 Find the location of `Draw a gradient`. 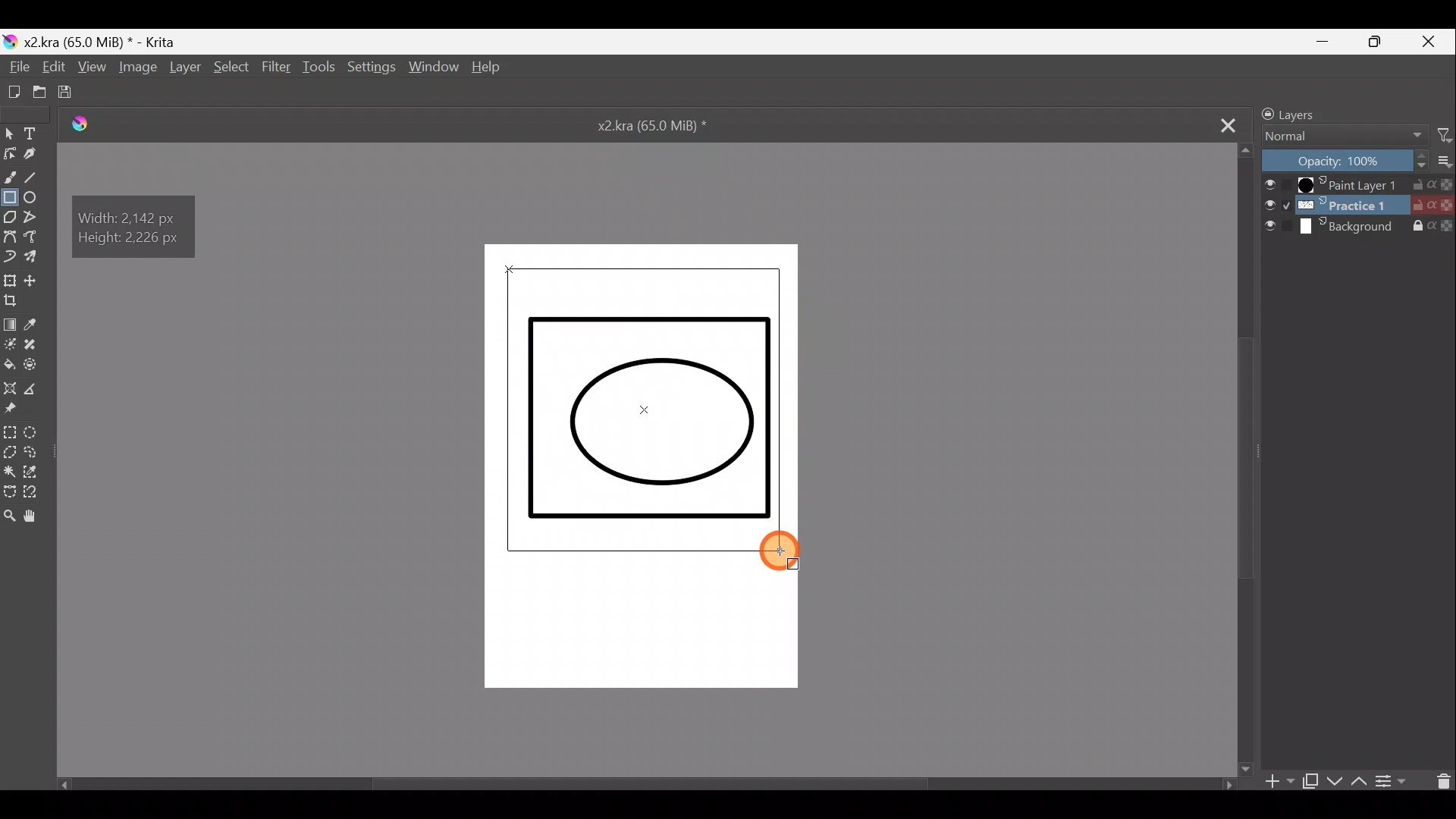

Draw a gradient is located at coordinates (10, 322).